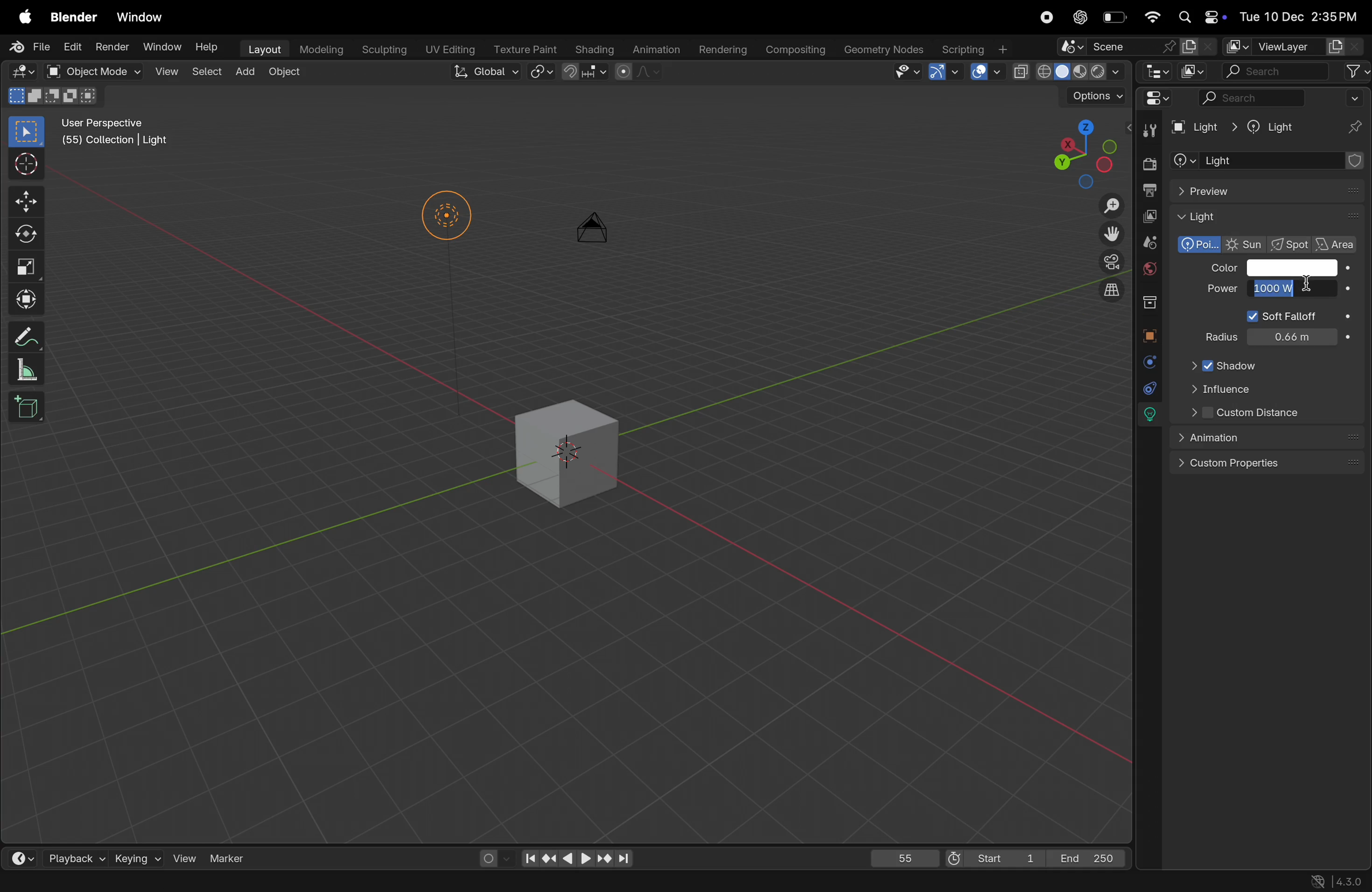 This screenshot has width=1372, height=892. I want to click on filter, so click(1356, 71).